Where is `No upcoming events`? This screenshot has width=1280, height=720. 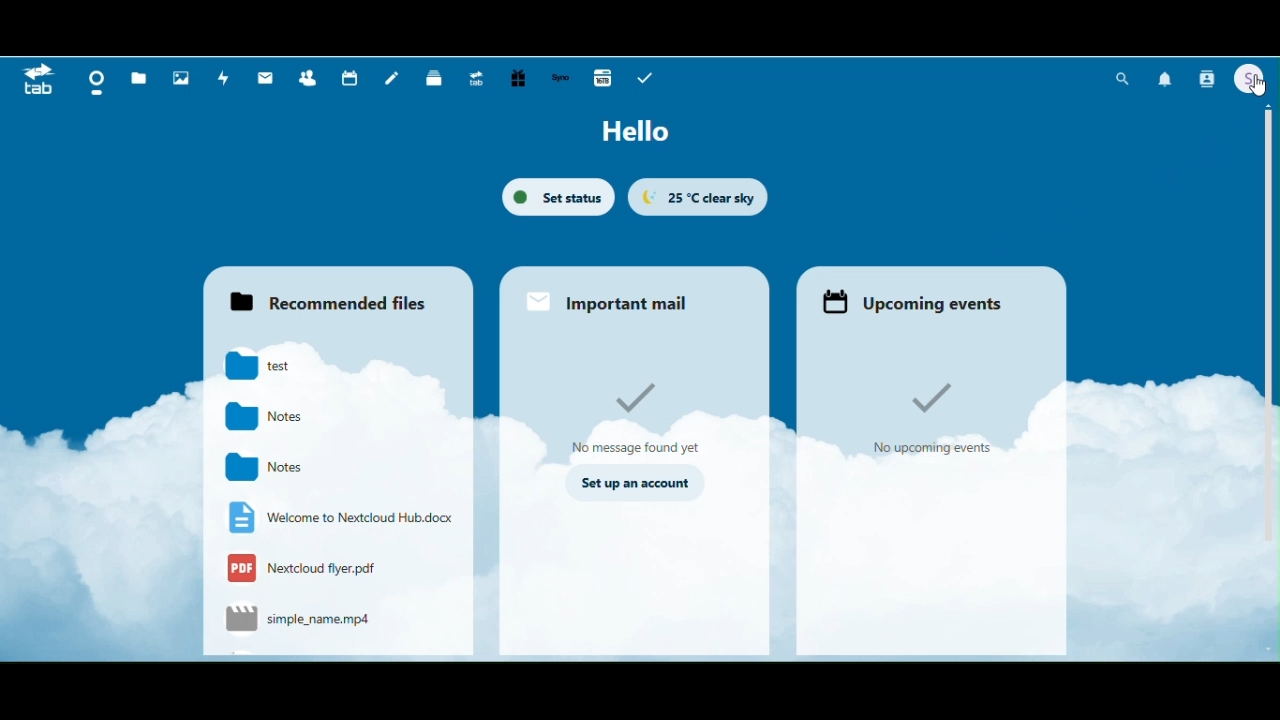 No upcoming events is located at coordinates (942, 414).